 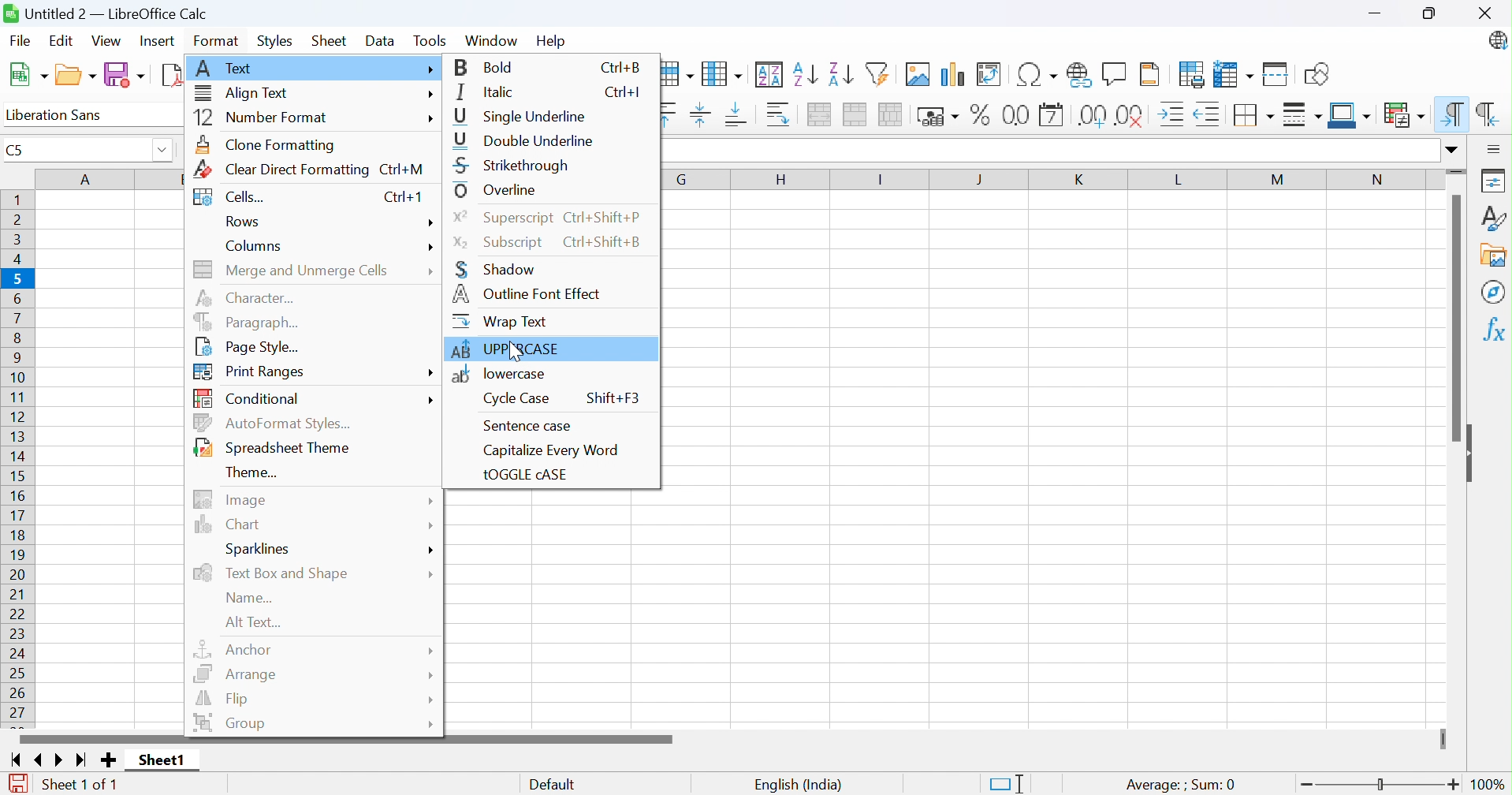 I want to click on Text box and shape, so click(x=274, y=573).